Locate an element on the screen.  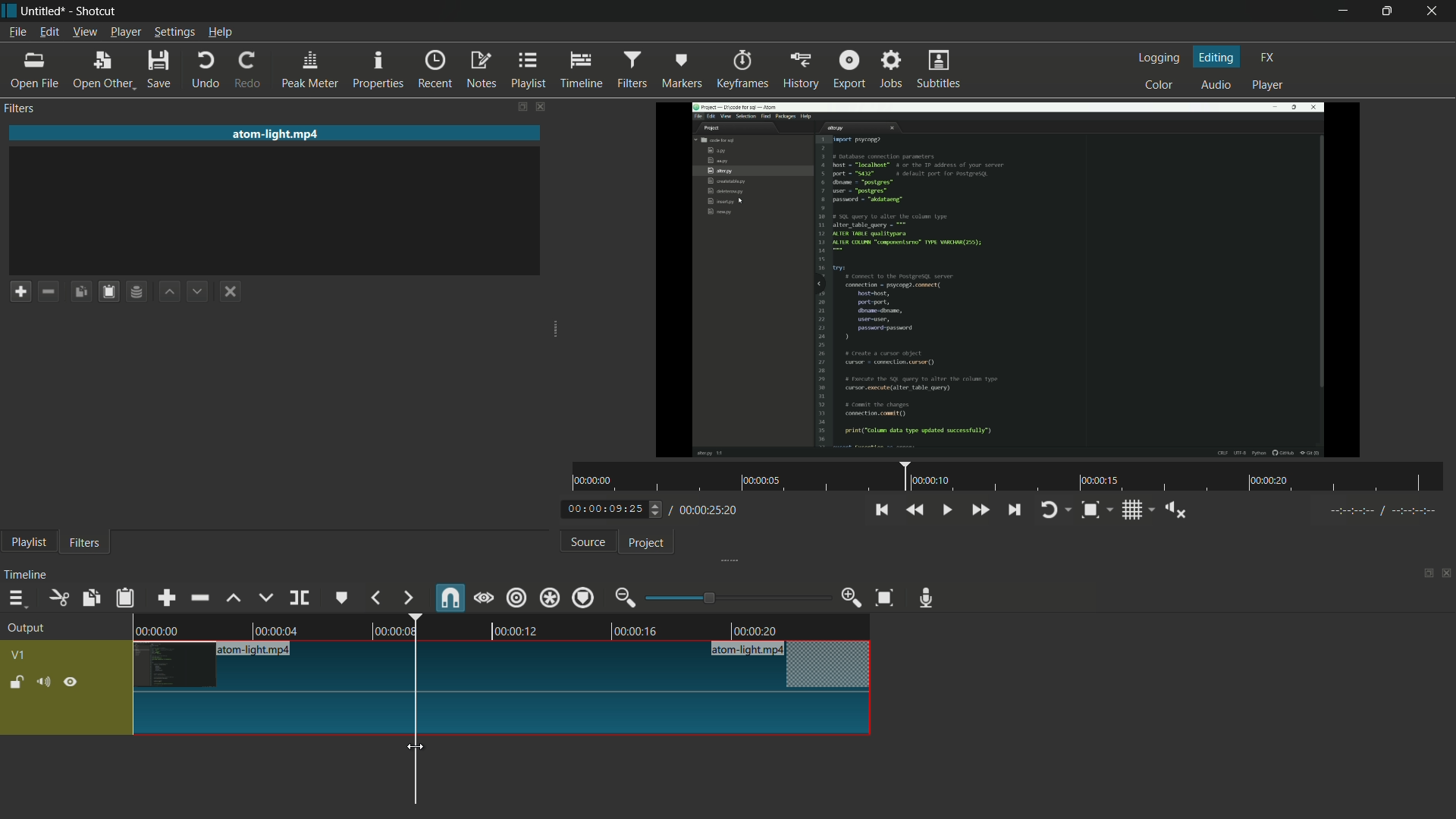
filters is located at coordinates (635, 70).